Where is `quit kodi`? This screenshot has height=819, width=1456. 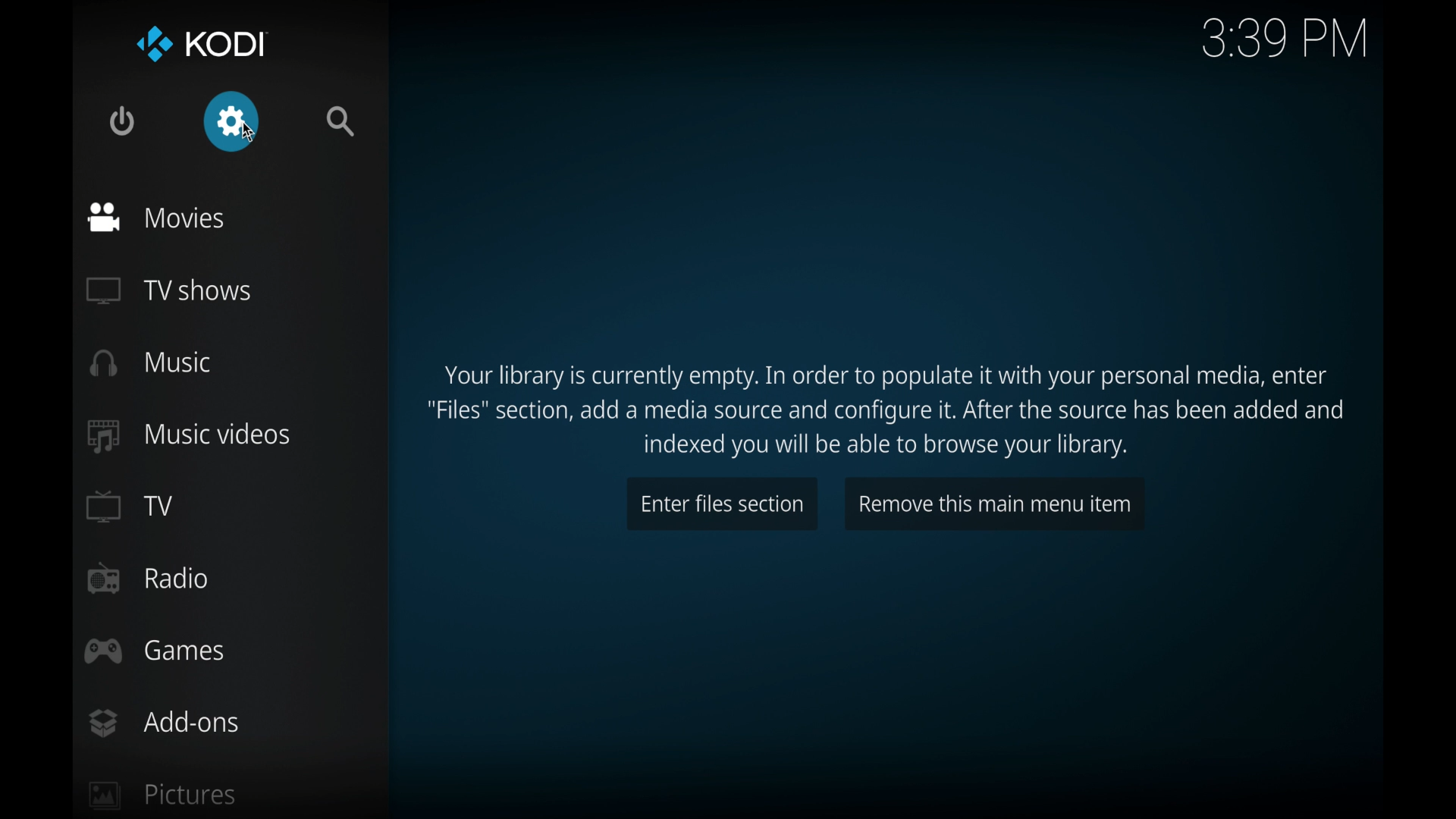 quit kodi is located at coordinates (121, 122).